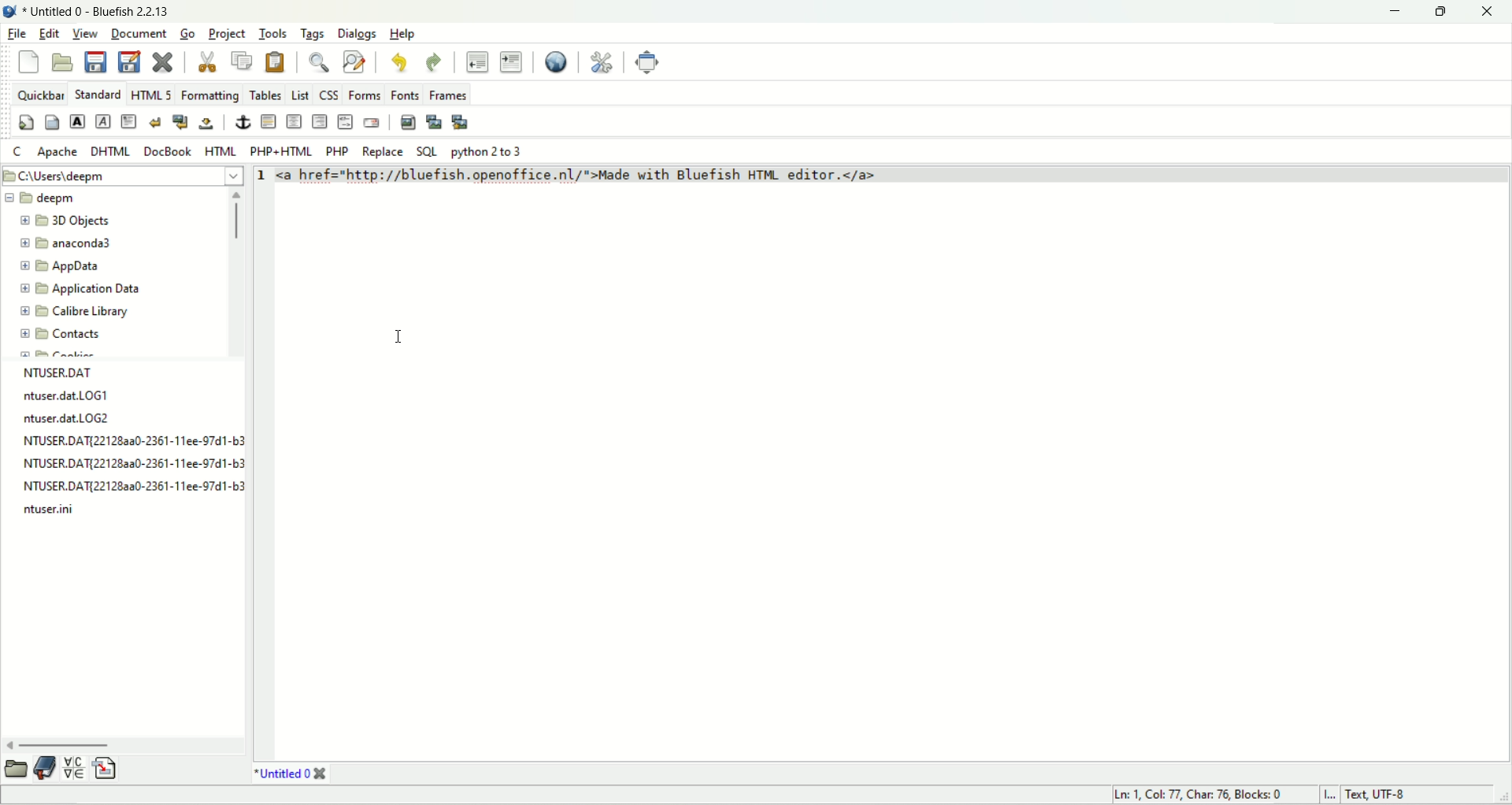 The height and width of the screenshot is (805, 1512). What do you see at coordinates (75, 768) in the screenshot?
I see `insert special character` at bounding box center [75, 768].